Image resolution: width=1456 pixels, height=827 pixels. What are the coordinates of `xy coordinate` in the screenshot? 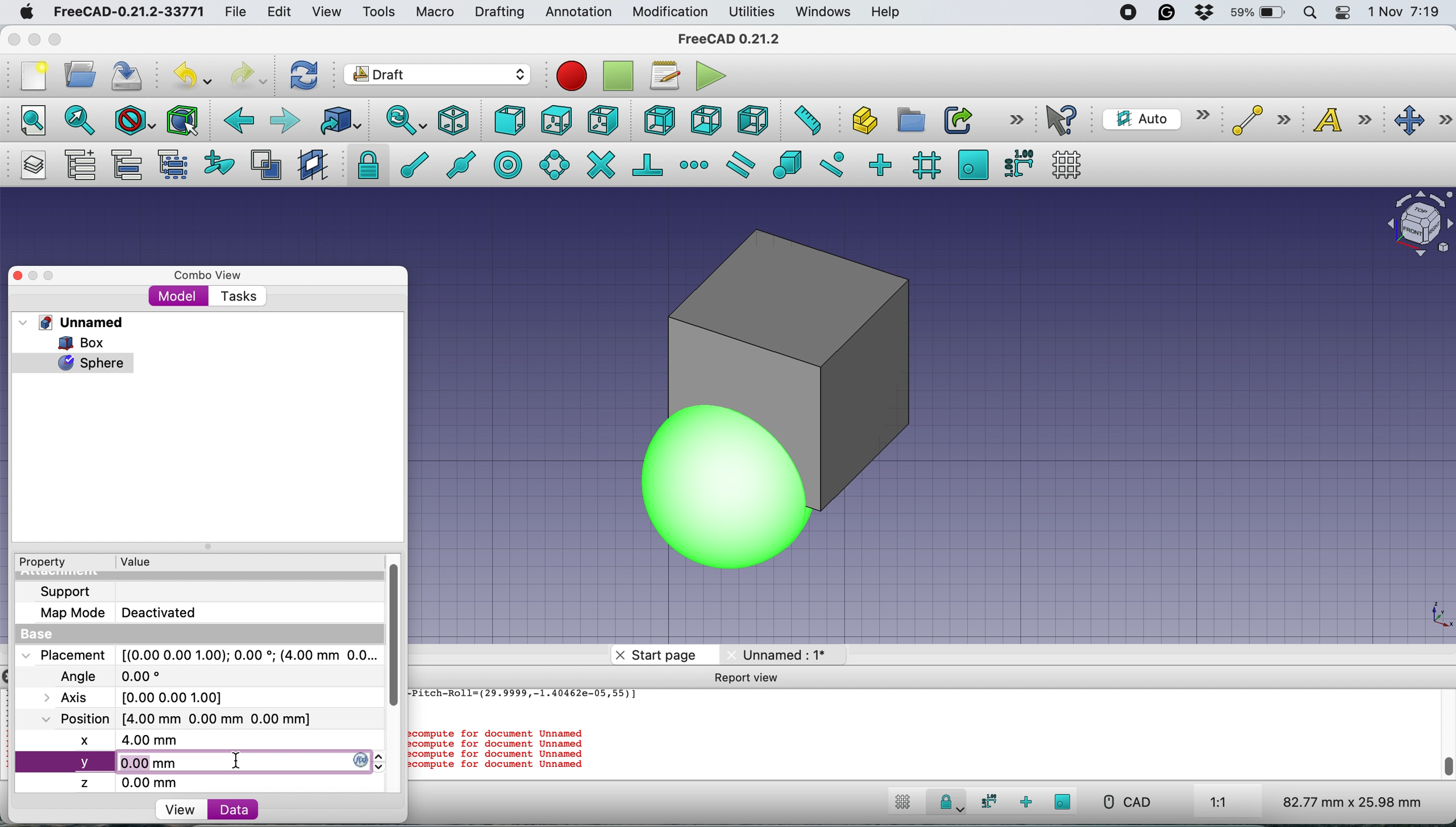 It's located at (1424, 617).